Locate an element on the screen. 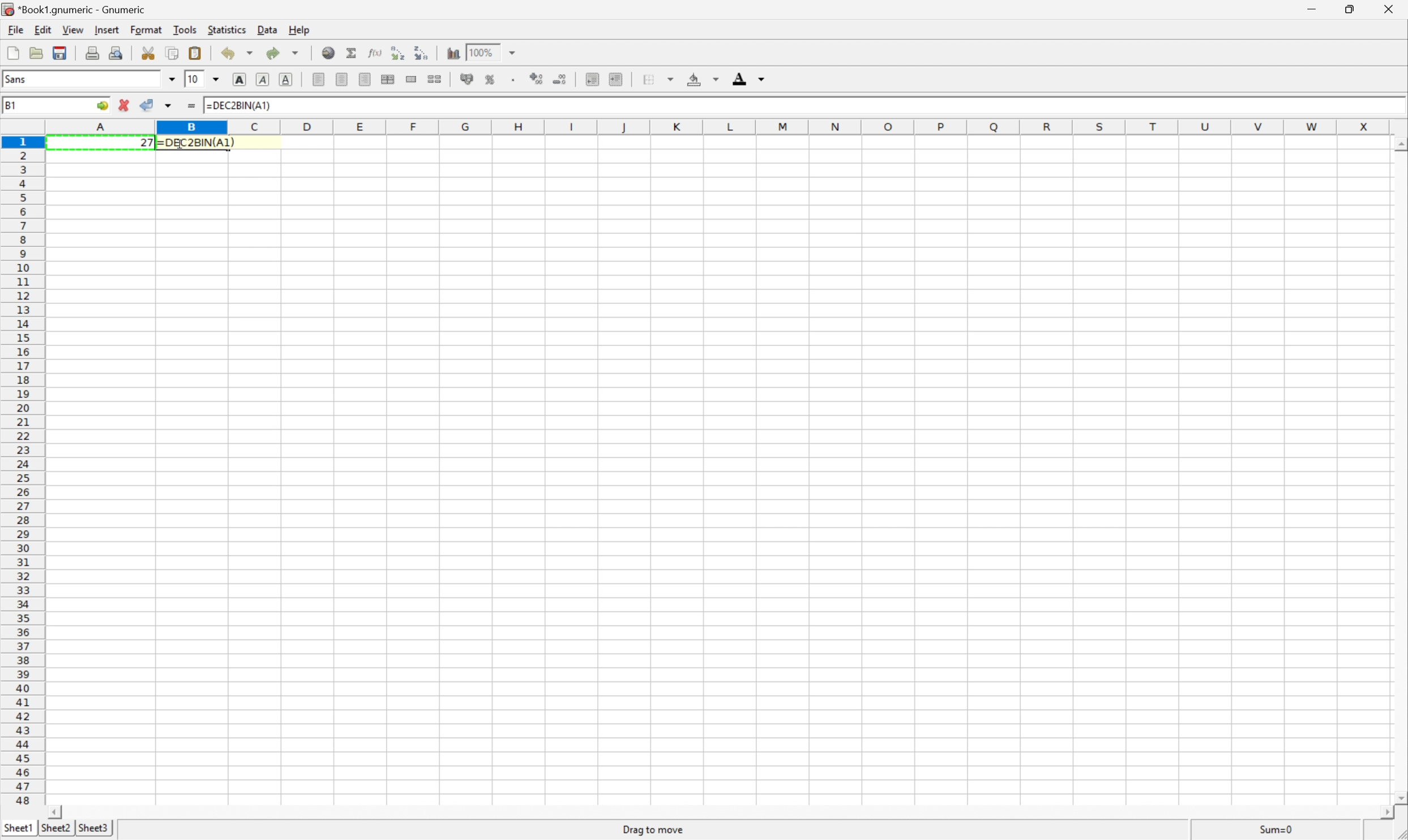 This screenshot has height=840, width=1408. Scroll Left is located at coordinates (52, 811).